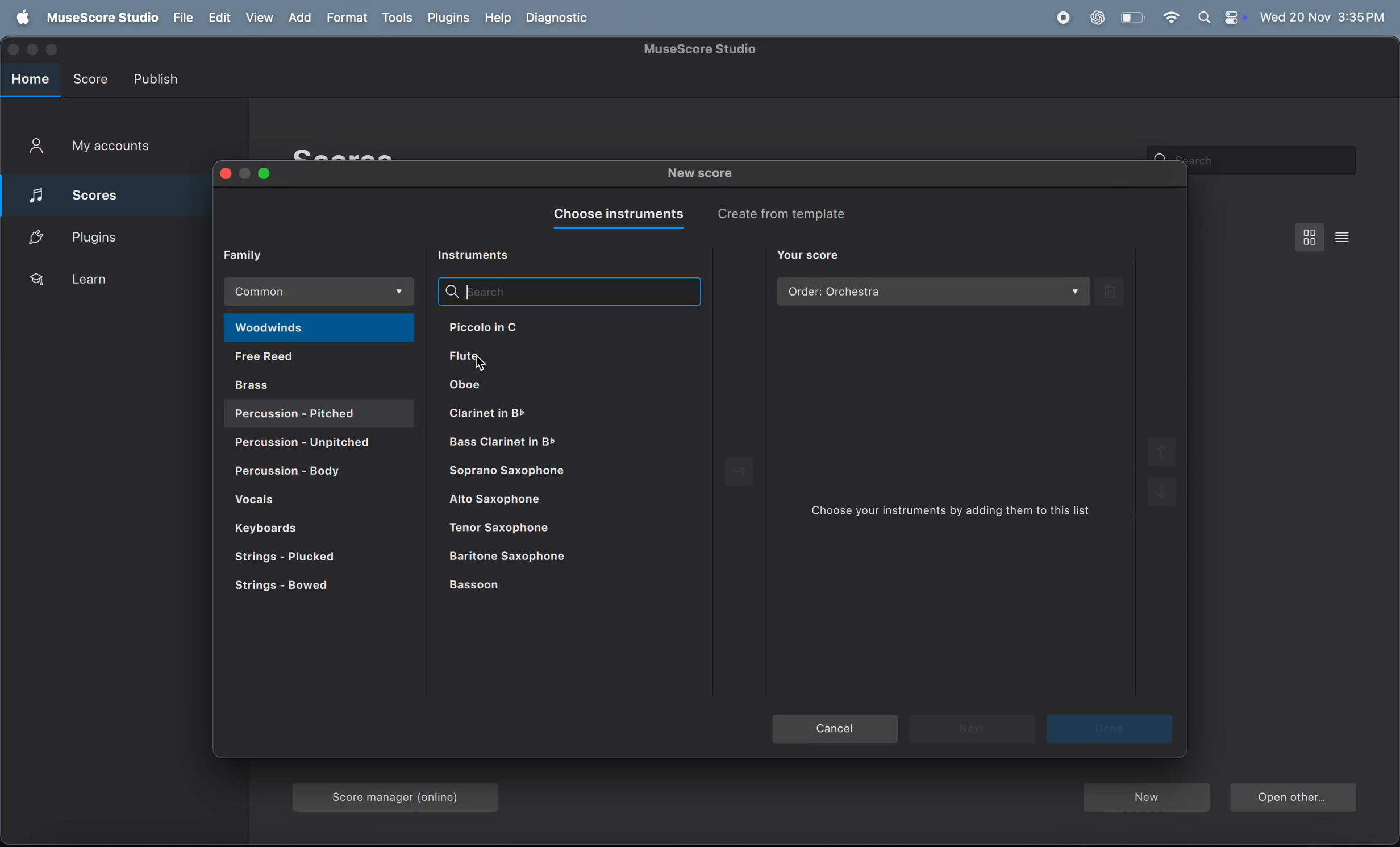 The image size is (1400, 847). I want to click on add, so click(304, 18).